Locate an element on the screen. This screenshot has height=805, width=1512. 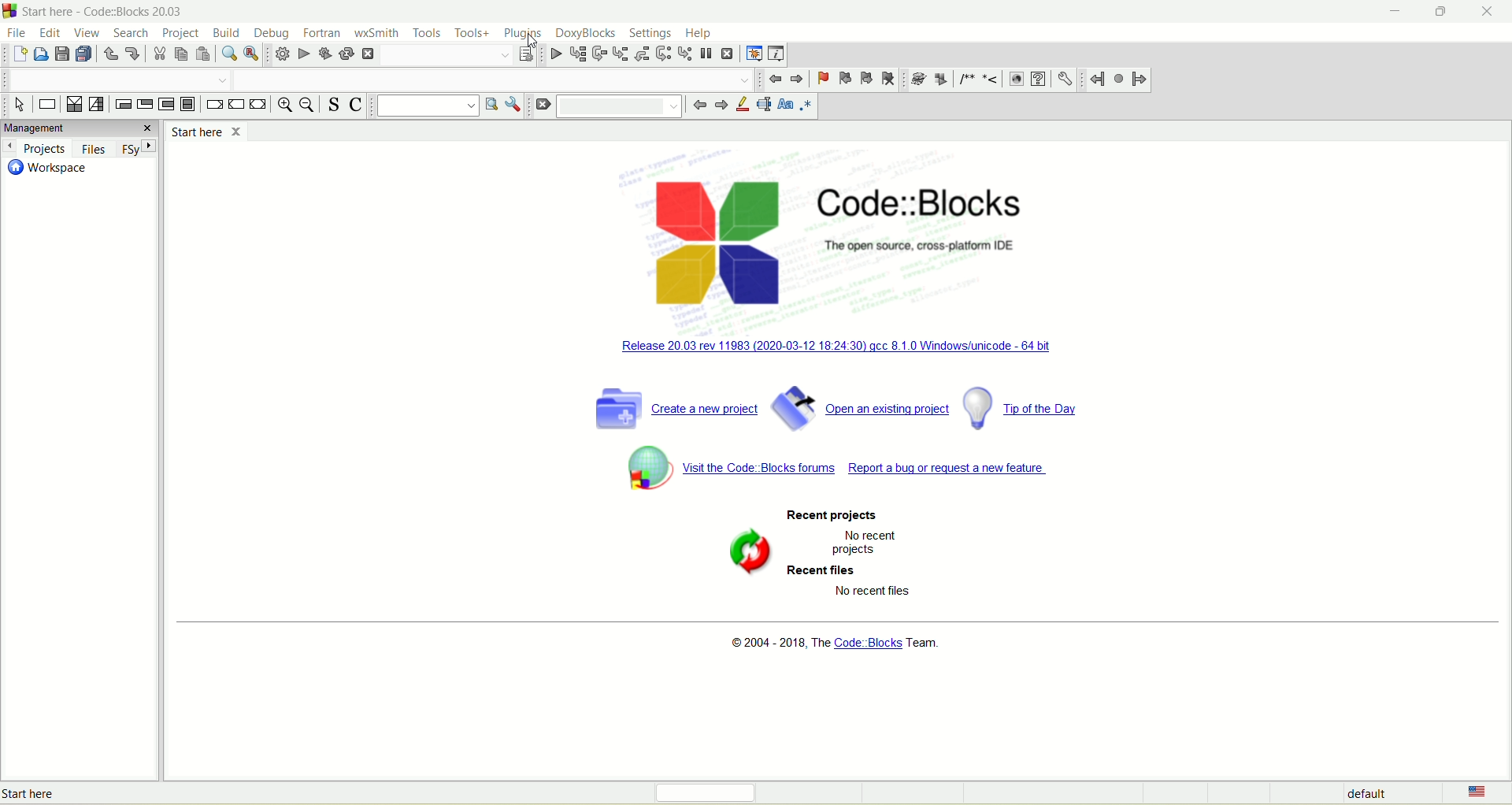
run is located at coordinates (304, 54).